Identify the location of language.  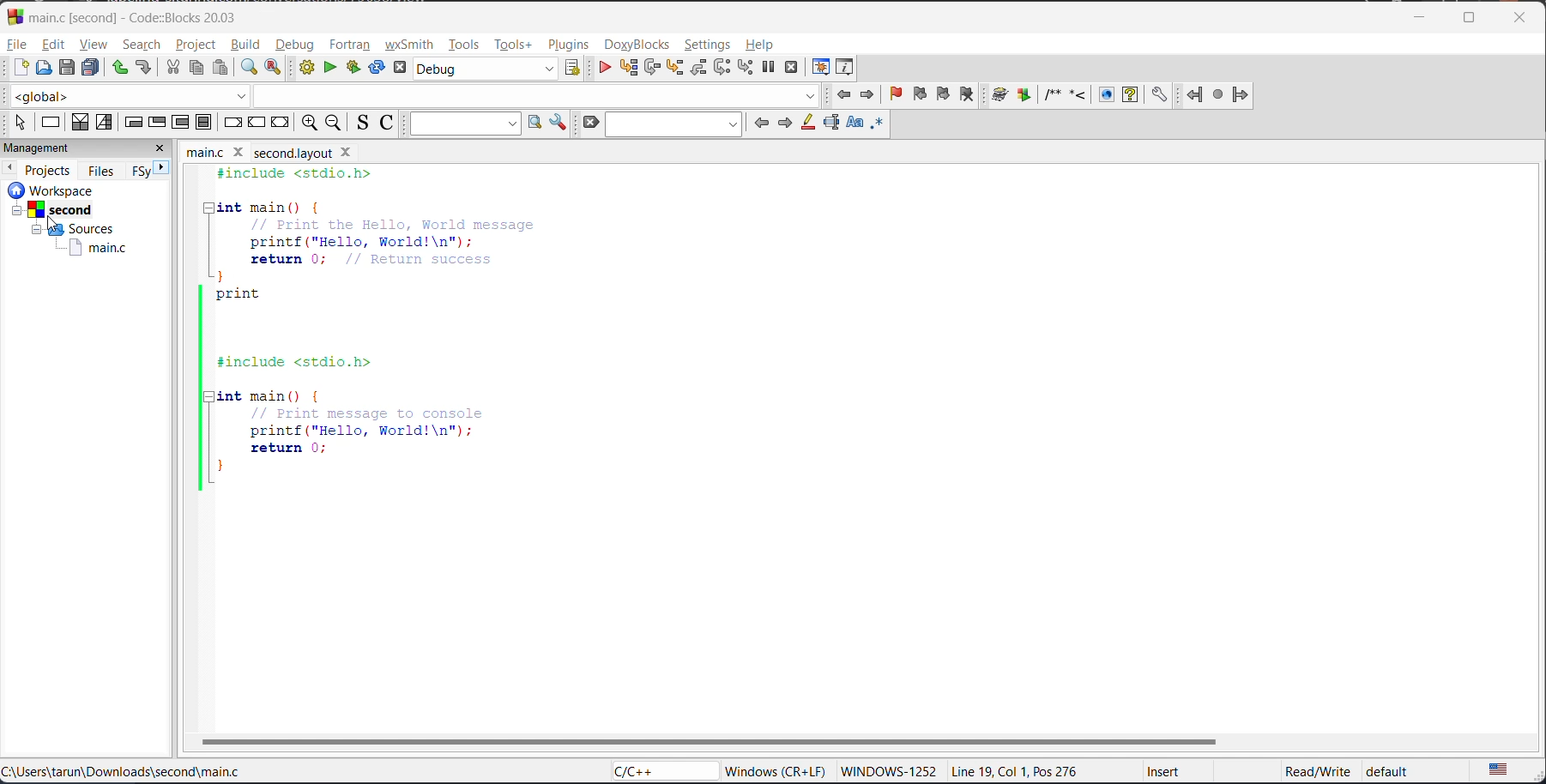
(663, 774).